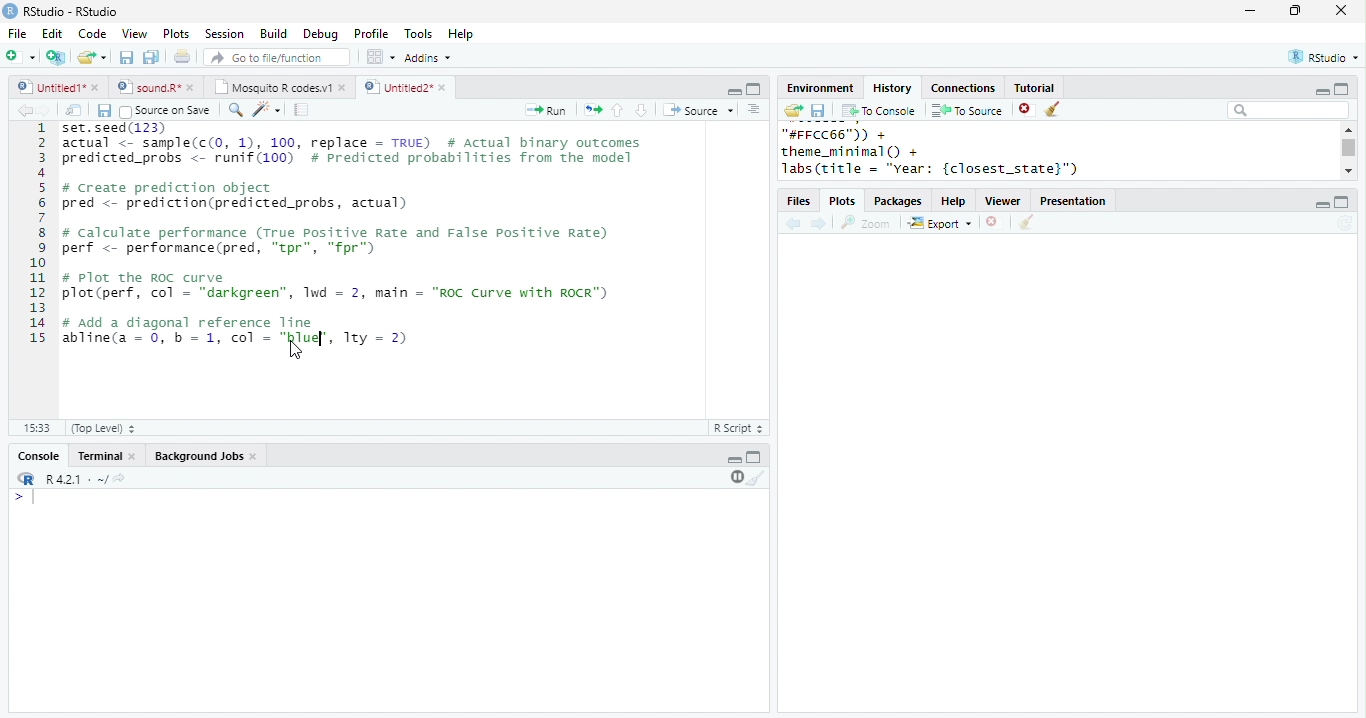  Describe the element at coordinates (134, 34) in the screenshot. I see `View` at that location.